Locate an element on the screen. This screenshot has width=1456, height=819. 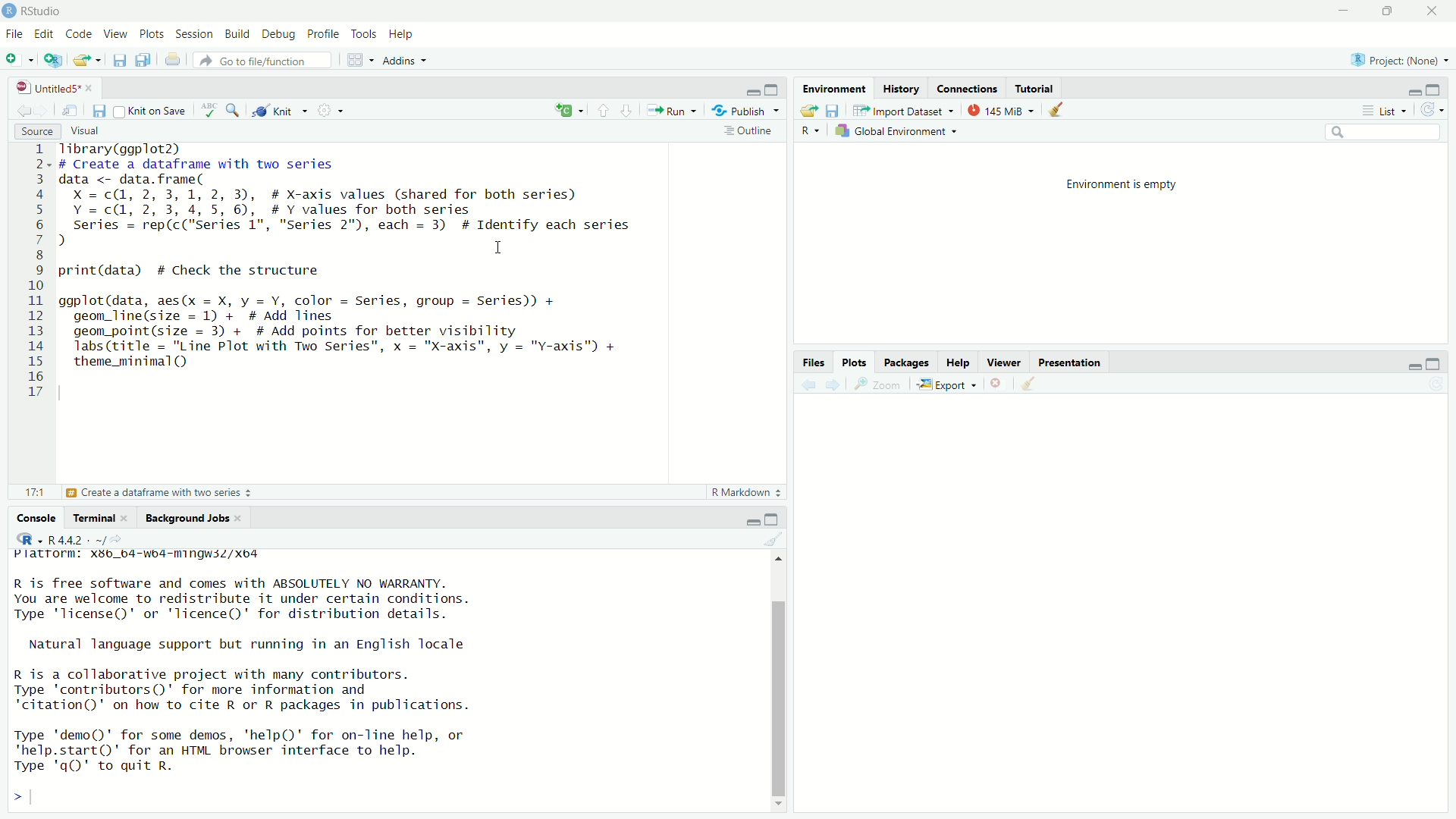
Create a project is located at coordinates (53, 60).